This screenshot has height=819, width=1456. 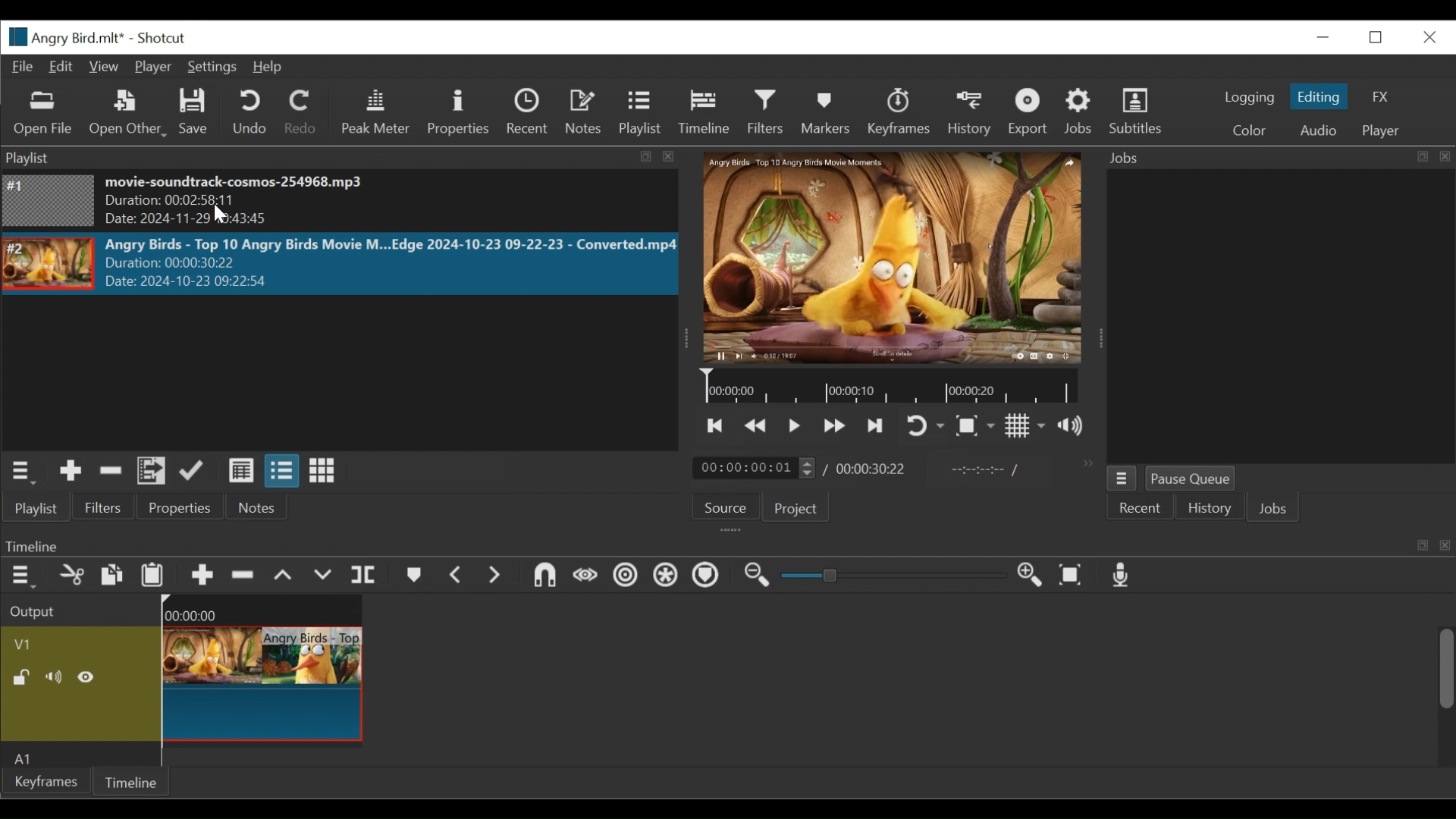 What do you see at coordinates (49, 264) in the screenshot?
I see `Image` at bounding box center [49, 264].